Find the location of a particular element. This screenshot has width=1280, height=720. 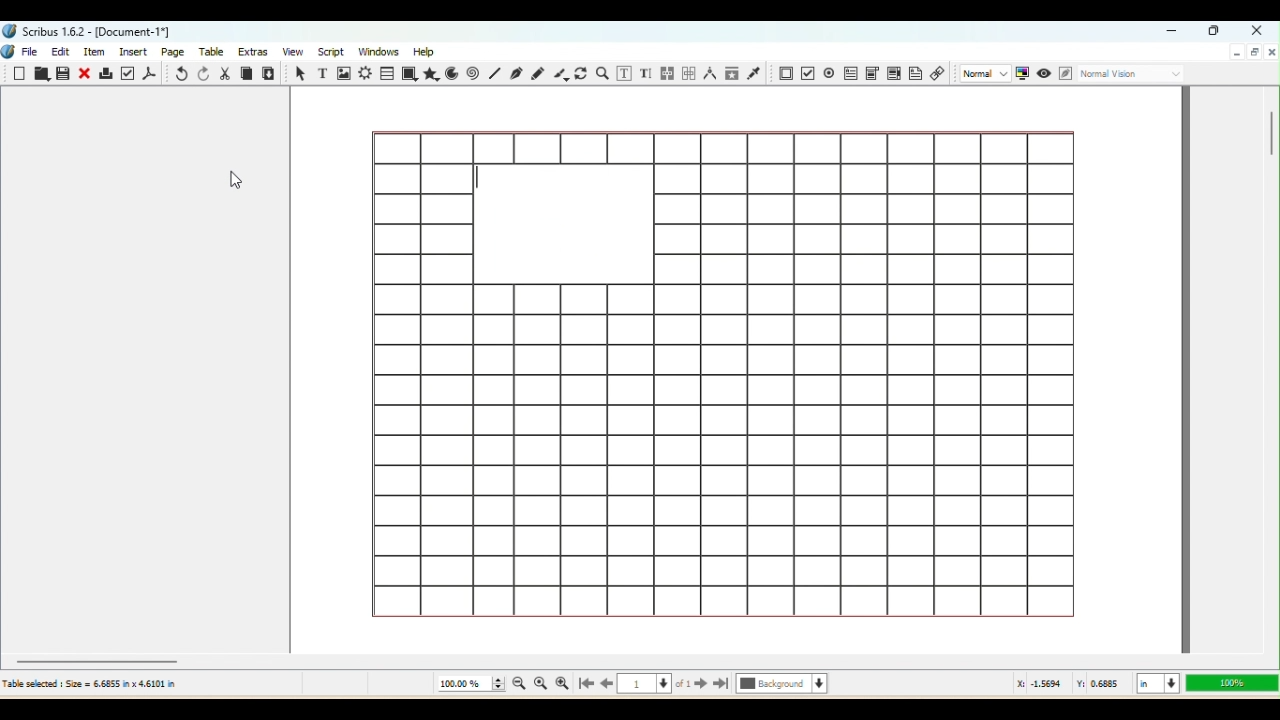

PDF list box is located at coordinates (893, 74).